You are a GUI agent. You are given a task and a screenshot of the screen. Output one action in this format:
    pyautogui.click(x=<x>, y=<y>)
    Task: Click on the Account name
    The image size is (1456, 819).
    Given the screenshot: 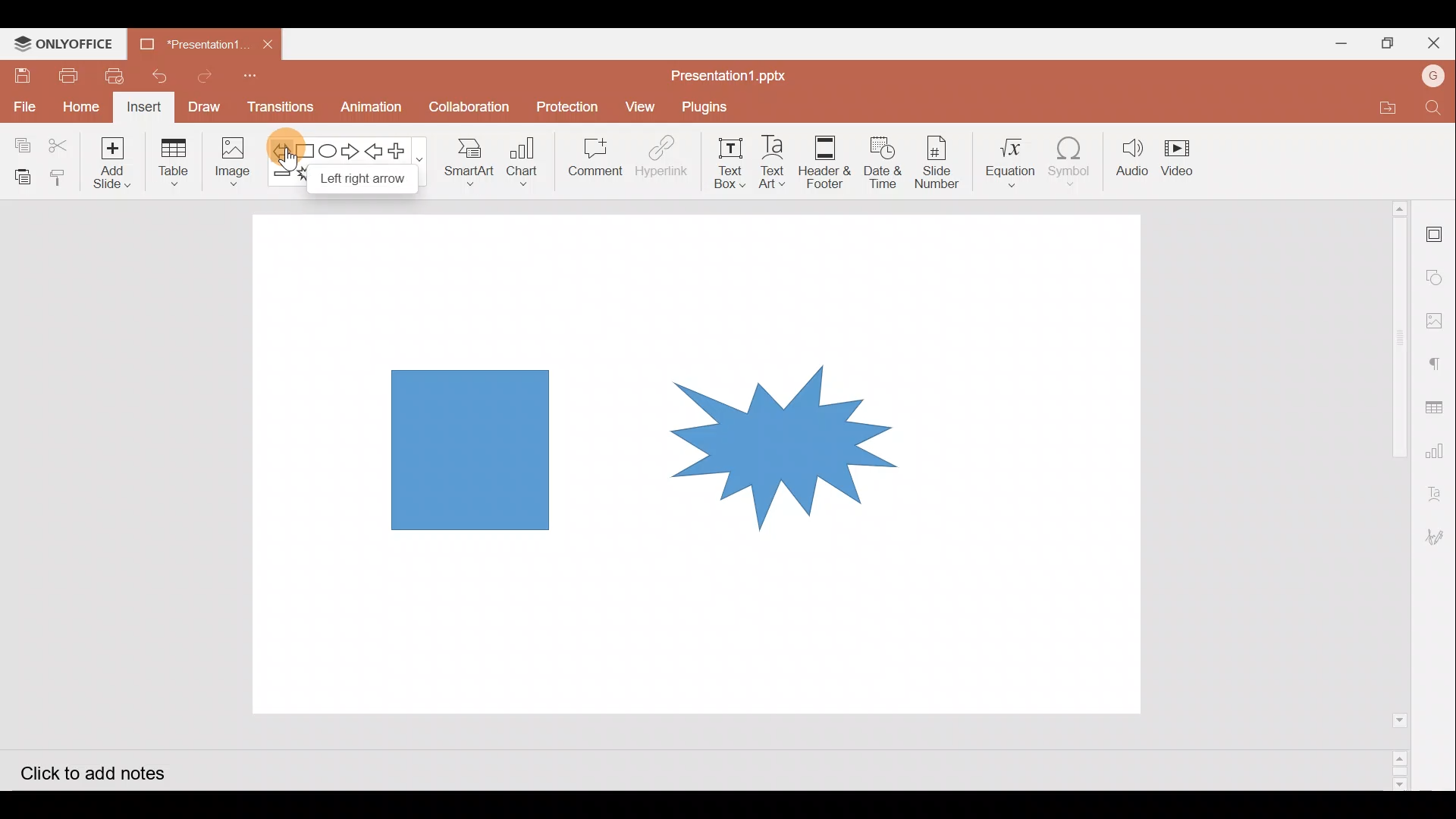 What is the action you would take?
    pyautogui.click(x=1433, y=78)
    